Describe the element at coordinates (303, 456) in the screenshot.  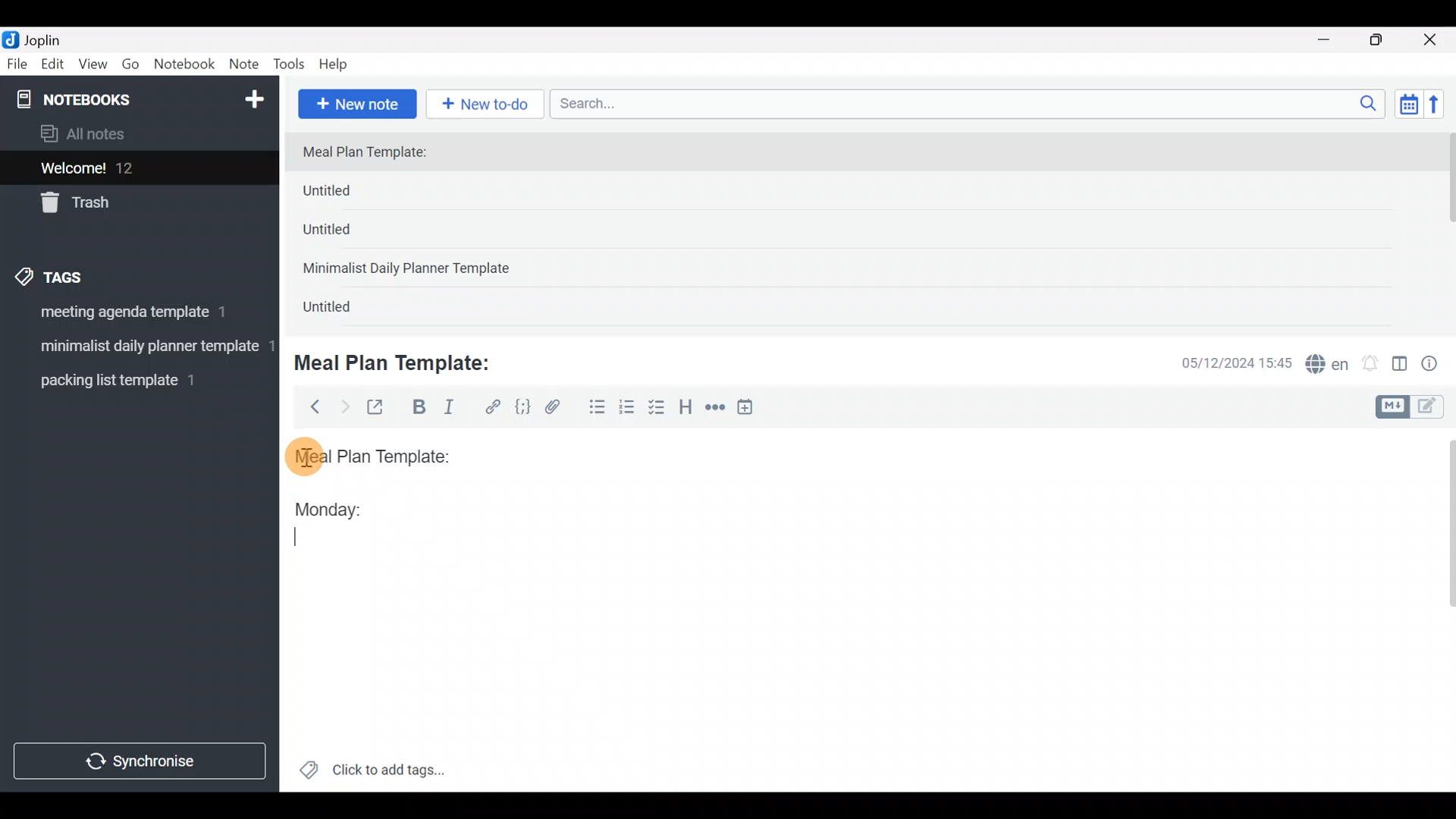
I see `cursor` at that location.